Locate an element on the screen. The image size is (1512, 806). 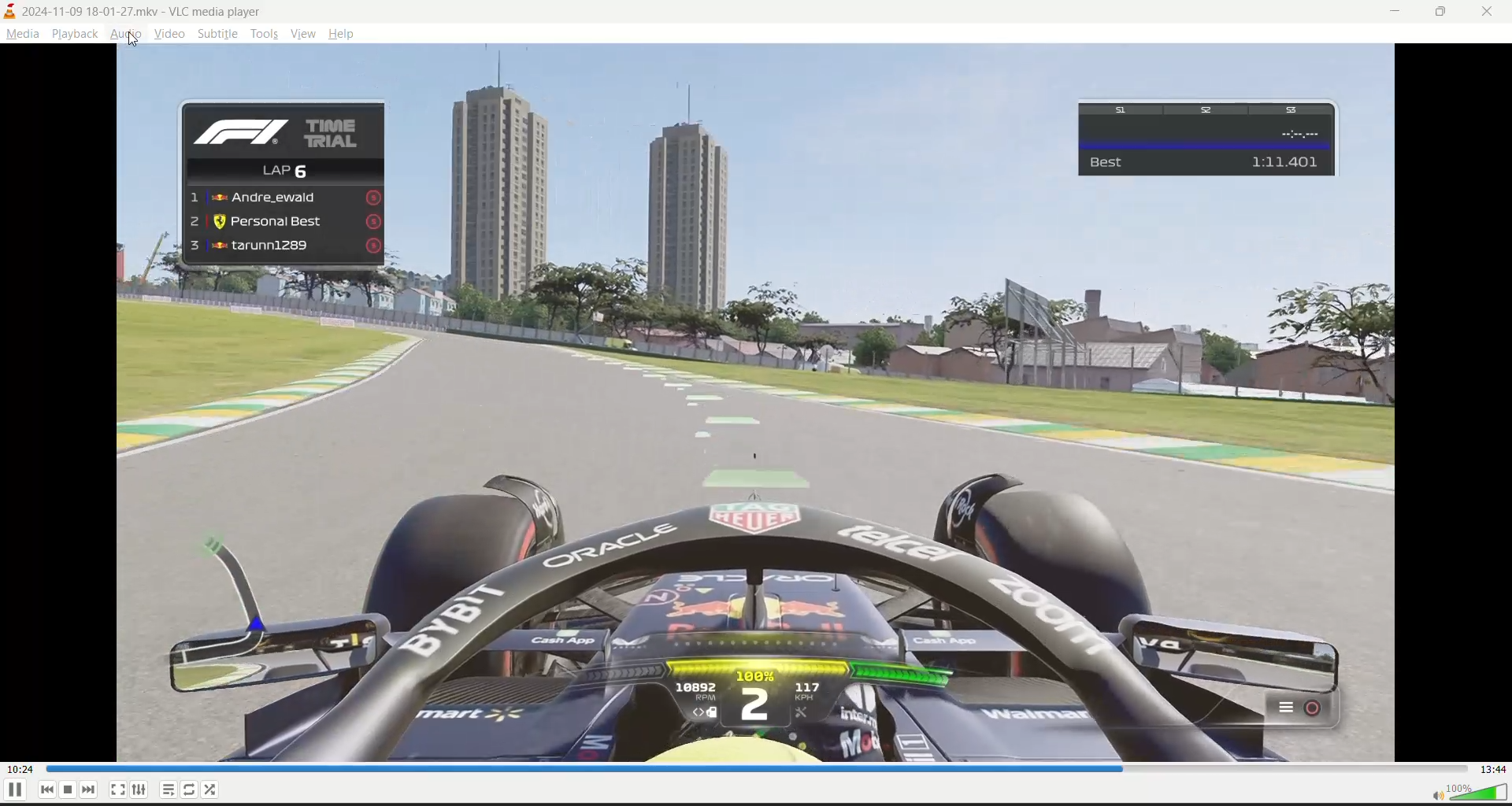
loops is located at coordinates (191, 789).